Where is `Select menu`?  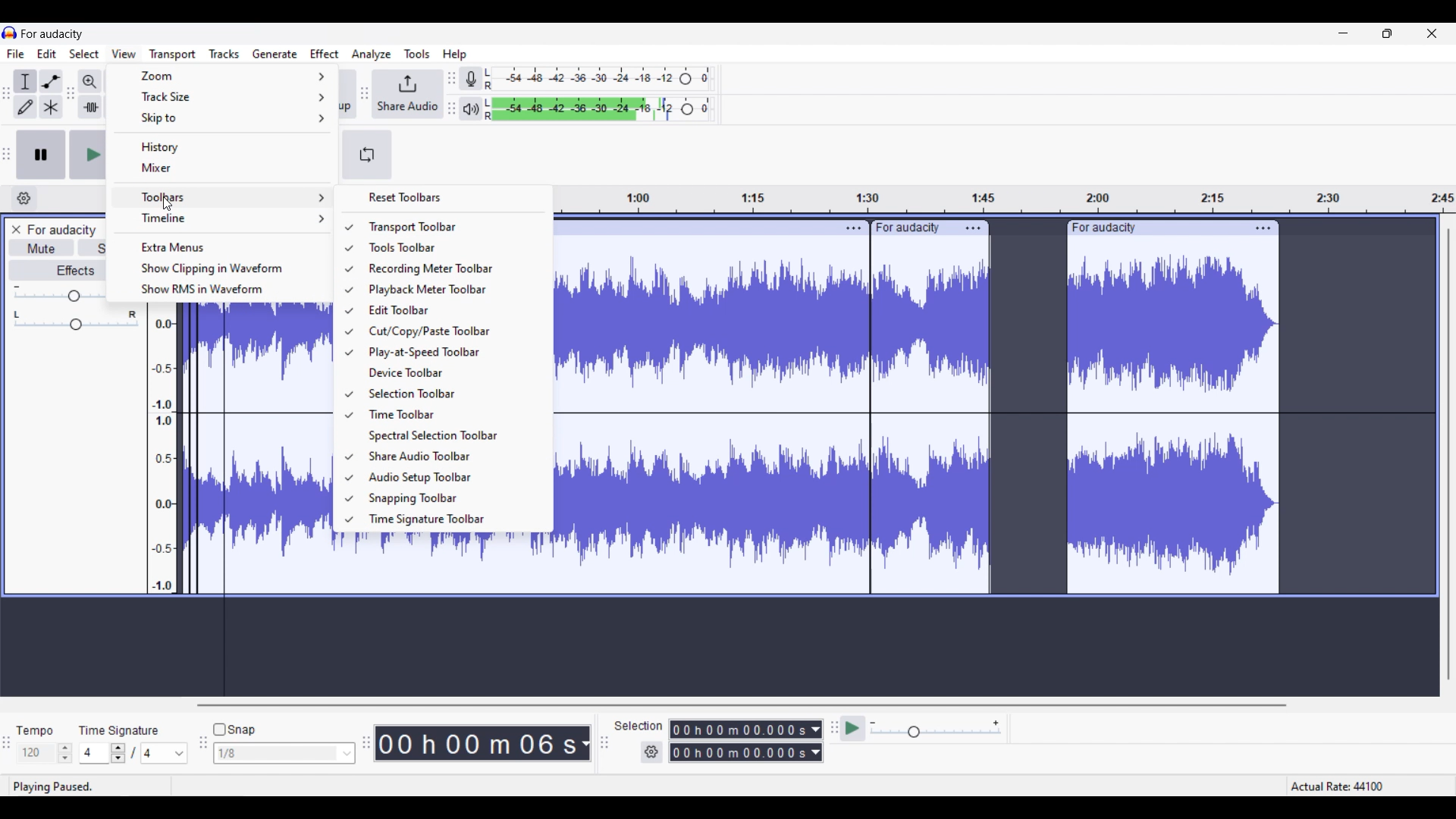 Select menu is located at coordinates (84, 54).